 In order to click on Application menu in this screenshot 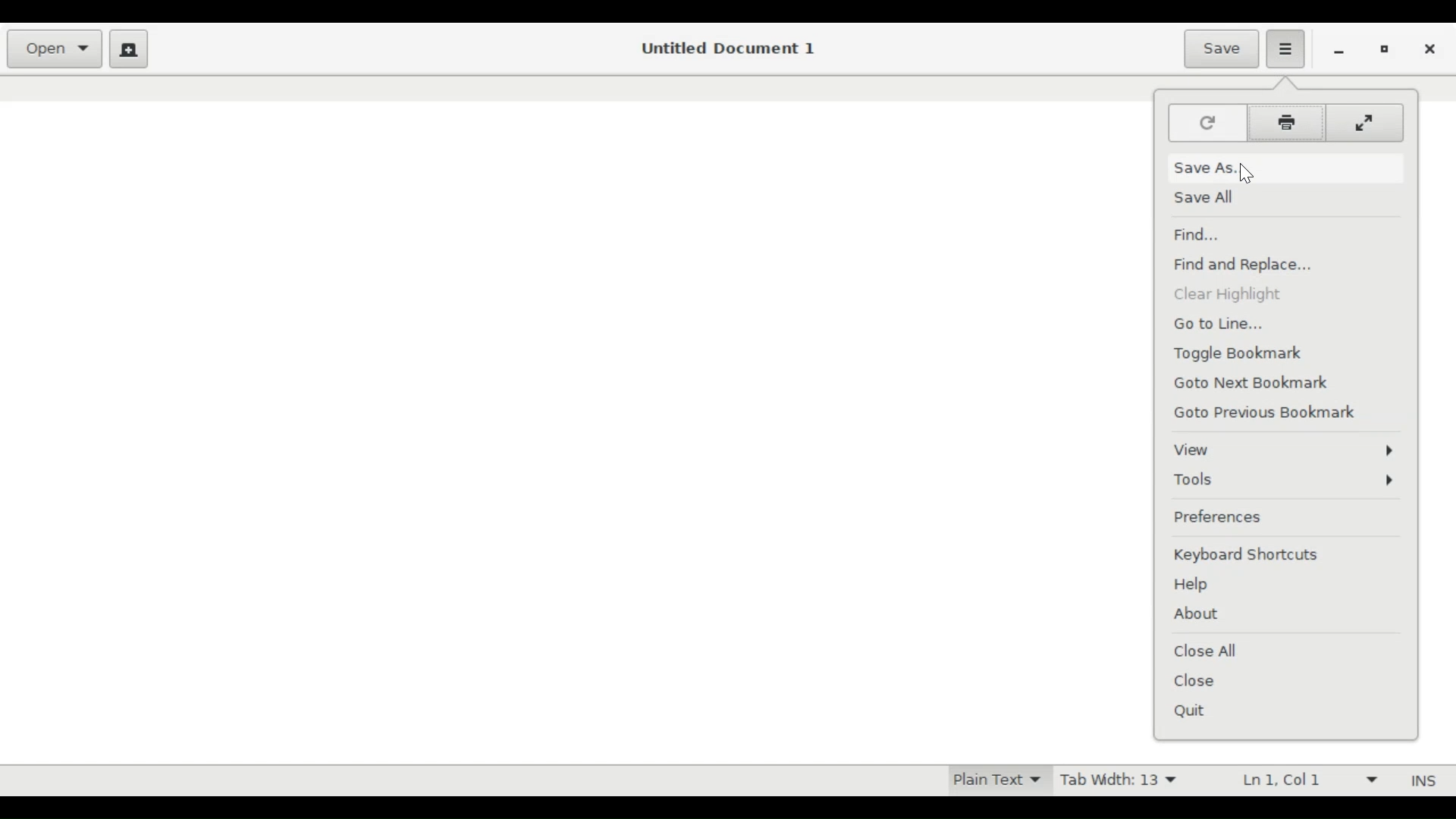, I will do `click(1285, 48)`.